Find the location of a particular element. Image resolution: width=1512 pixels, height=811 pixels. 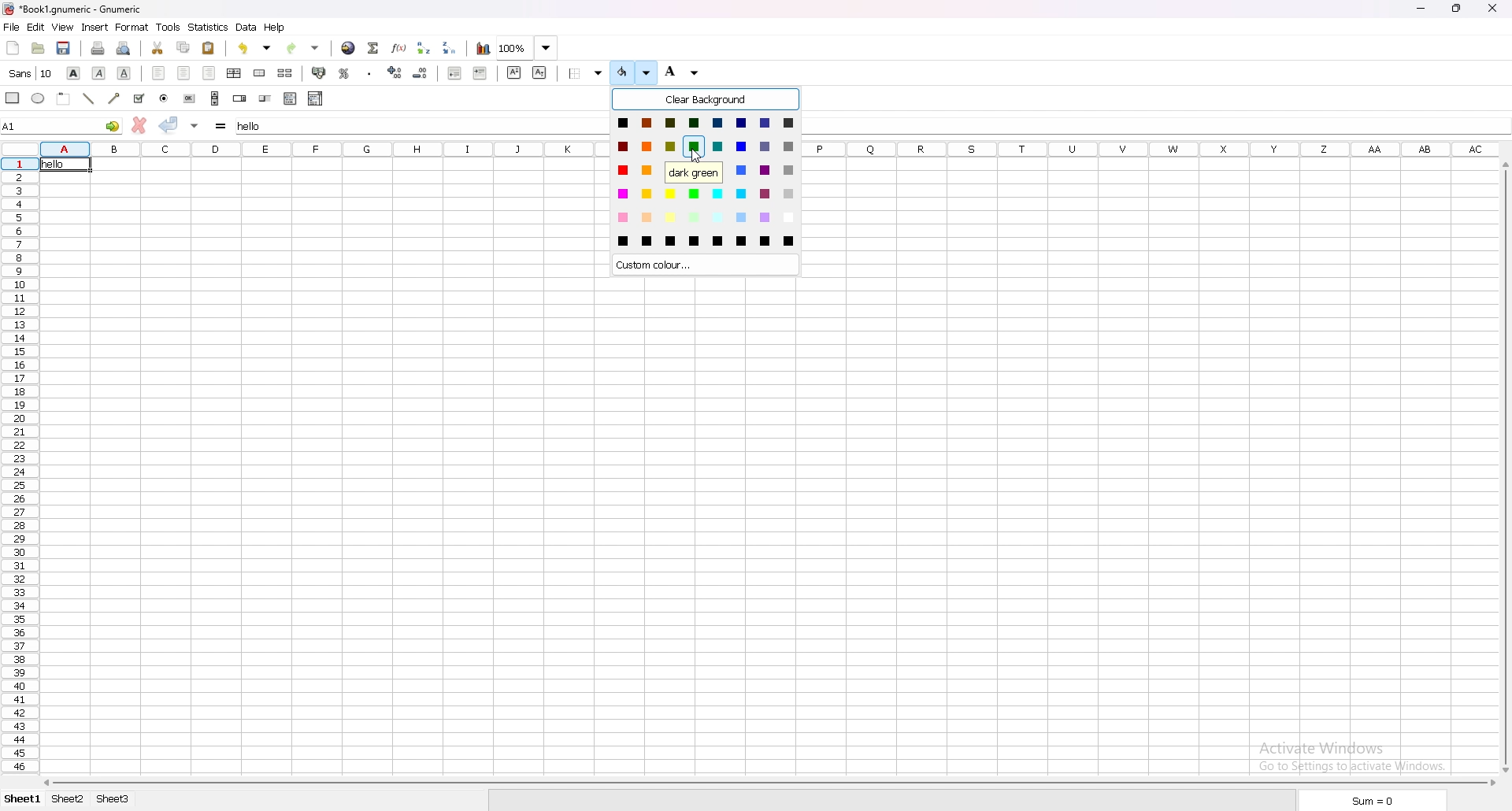

formula is located at coordinates (222, 124).